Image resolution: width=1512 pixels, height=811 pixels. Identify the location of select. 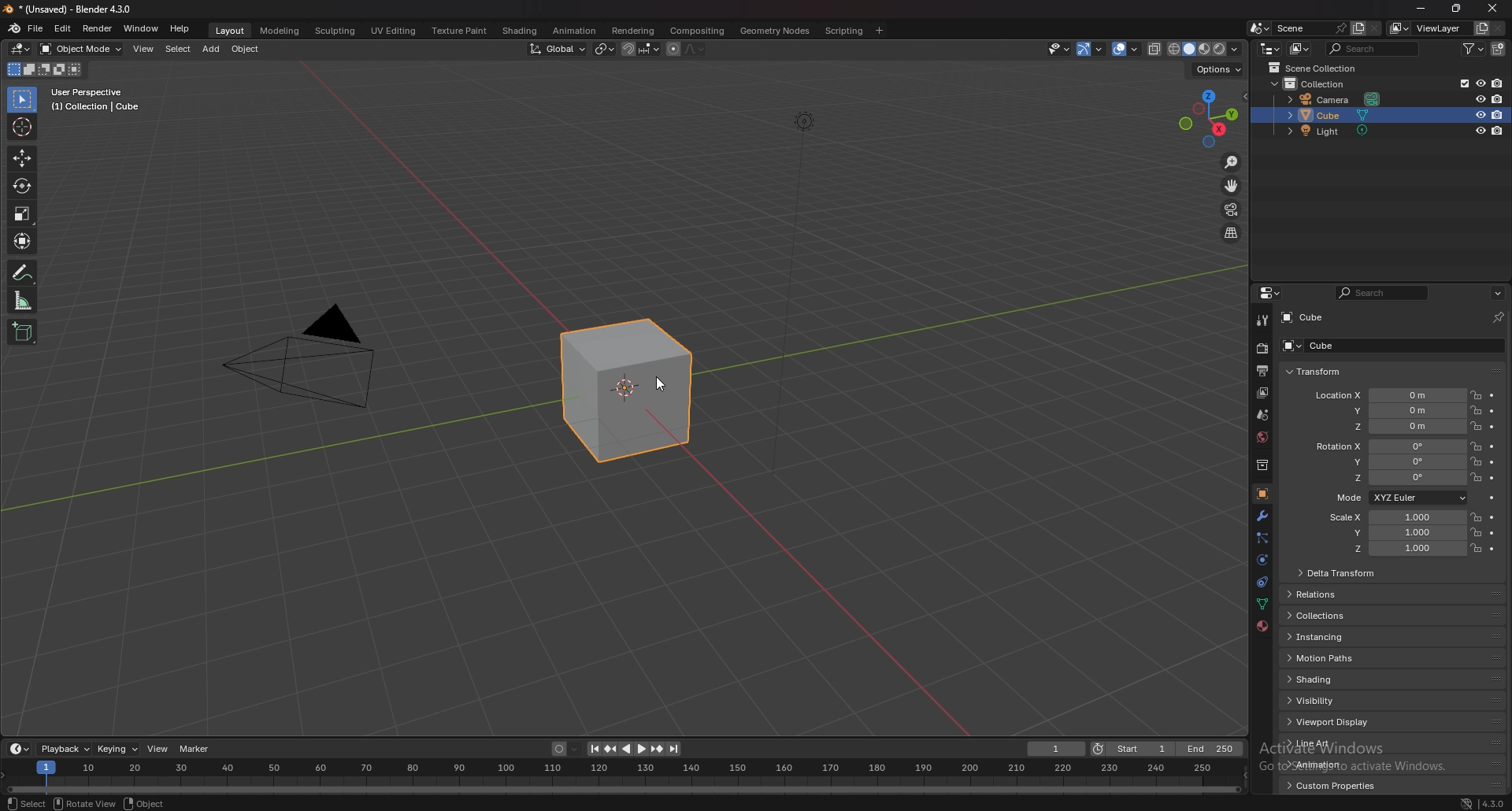
(178, 49).